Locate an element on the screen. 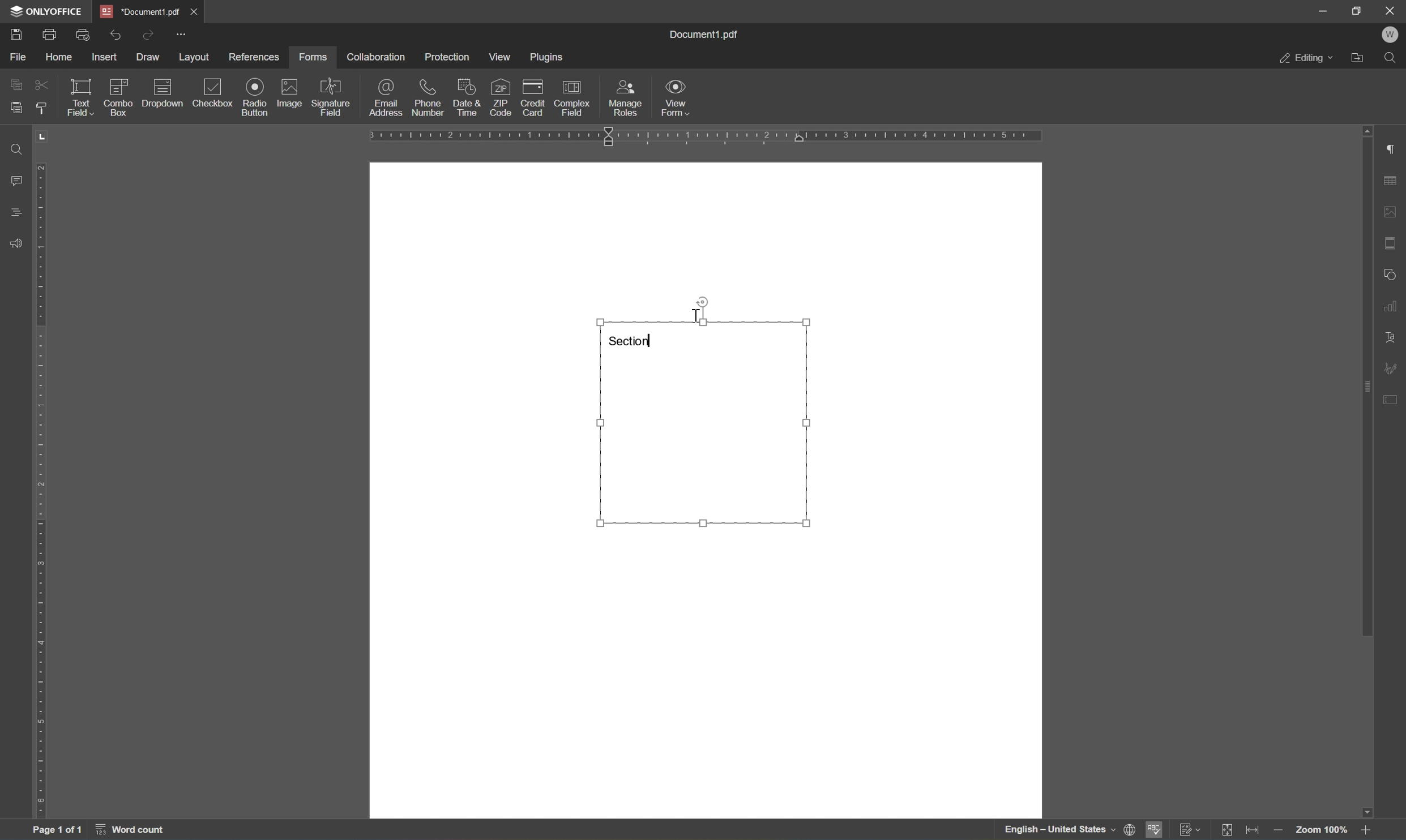 This screenshot has width=1406, height=840. collaboration is located at coordinates (376, 57).